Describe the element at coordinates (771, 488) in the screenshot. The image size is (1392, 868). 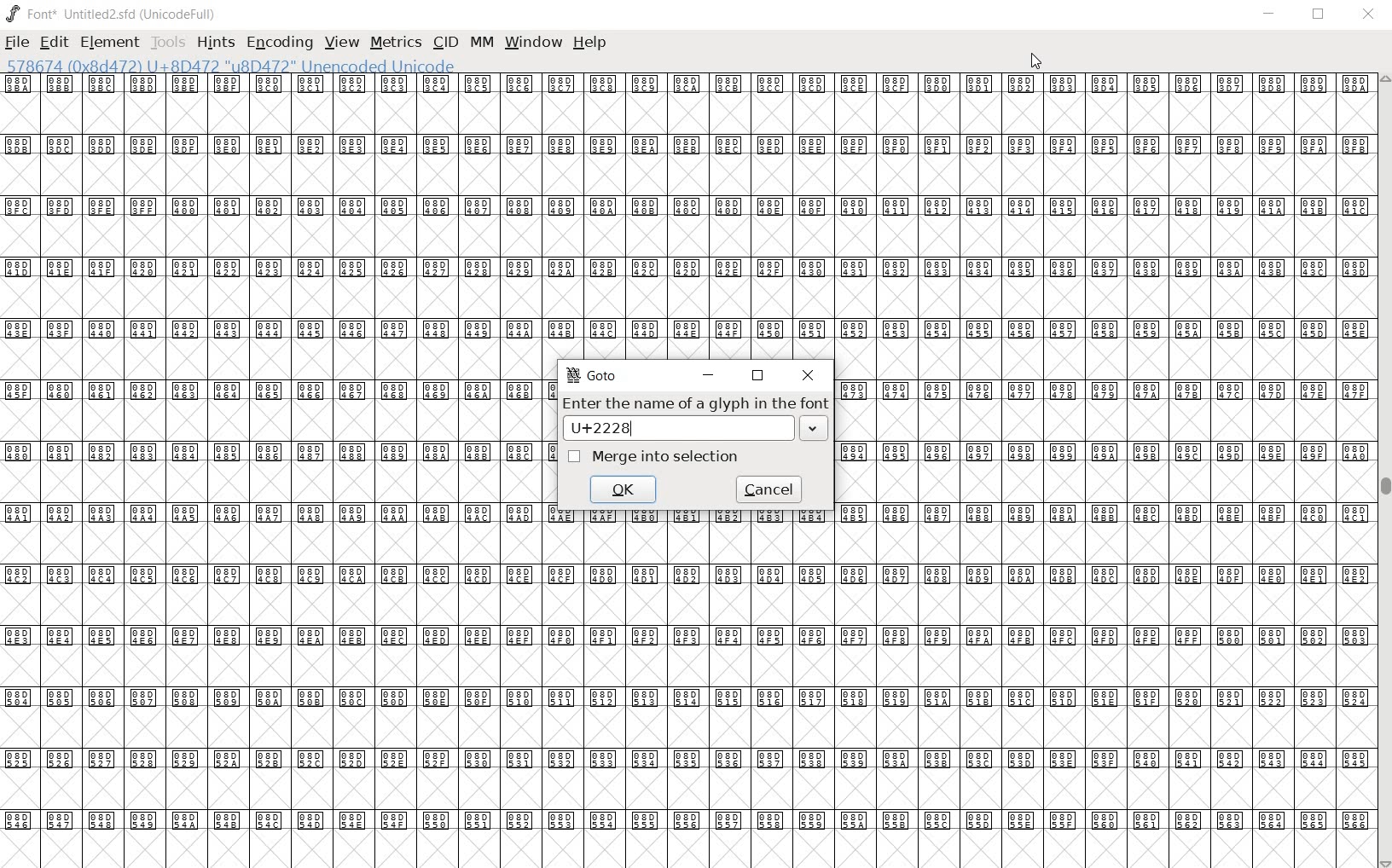
I see `cancel` at that location.